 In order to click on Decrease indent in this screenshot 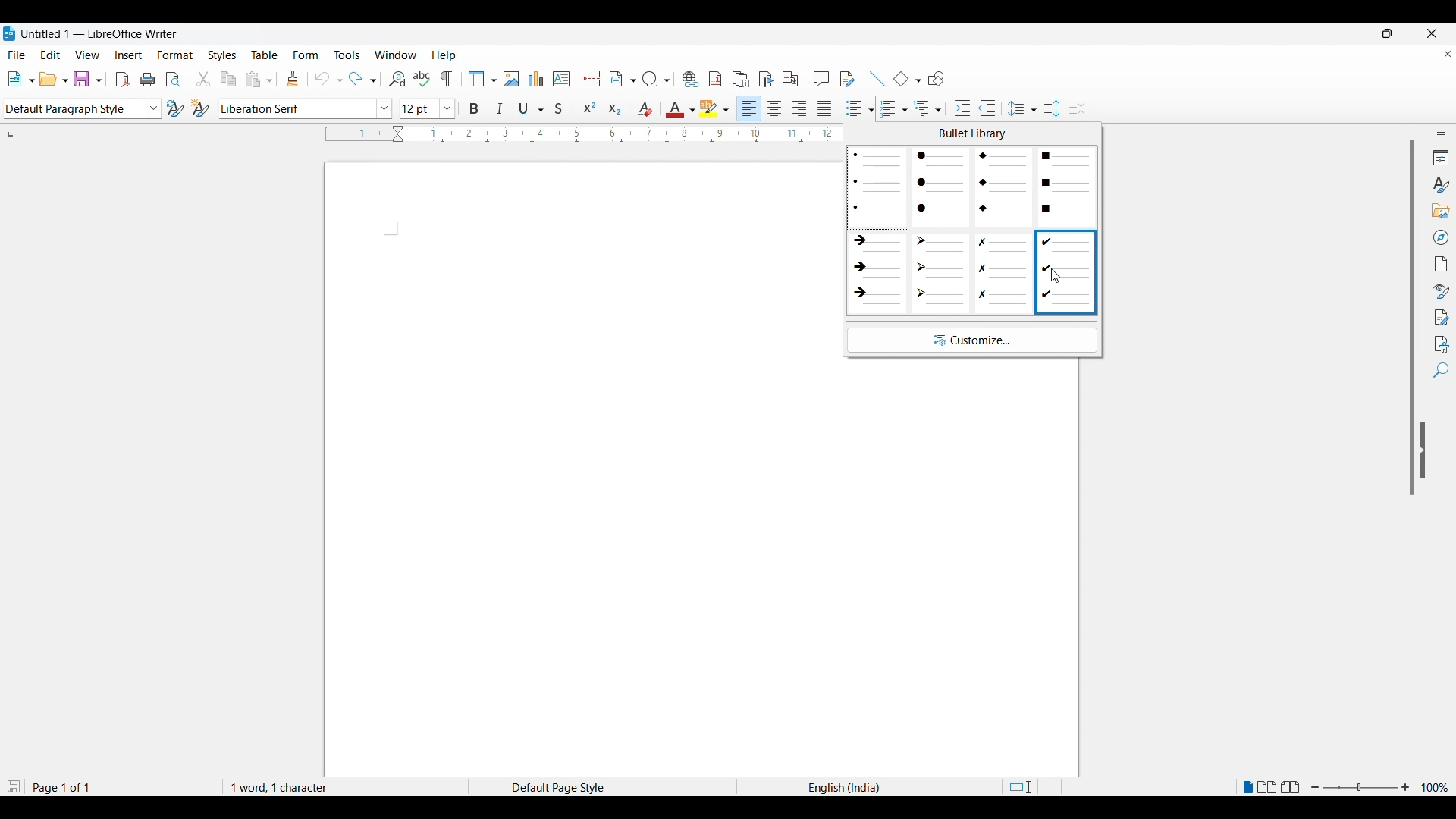, I will do `click(992, 105)`.